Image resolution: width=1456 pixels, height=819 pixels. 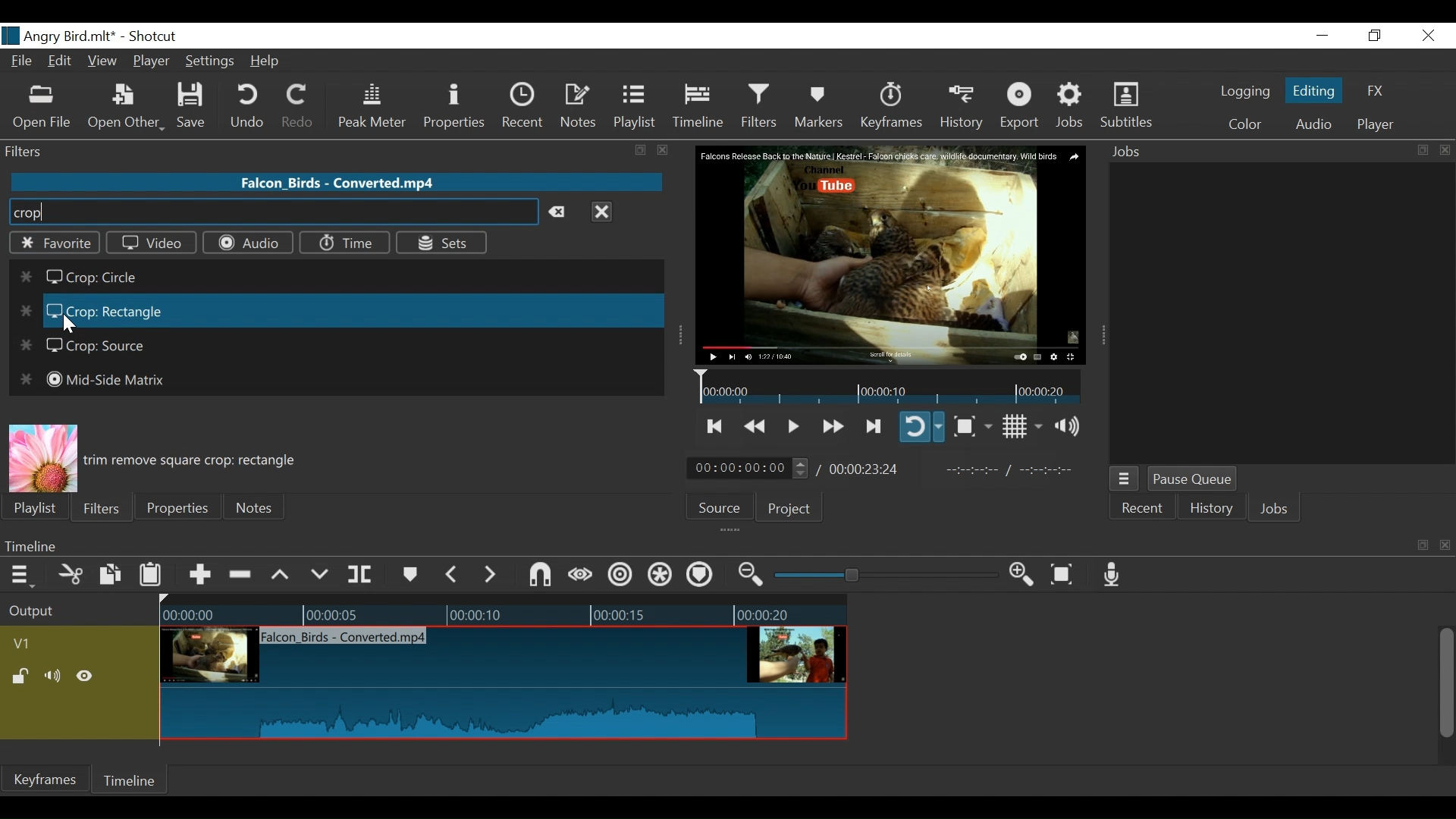 I want to click on Paste, so click(x=152, y=578).